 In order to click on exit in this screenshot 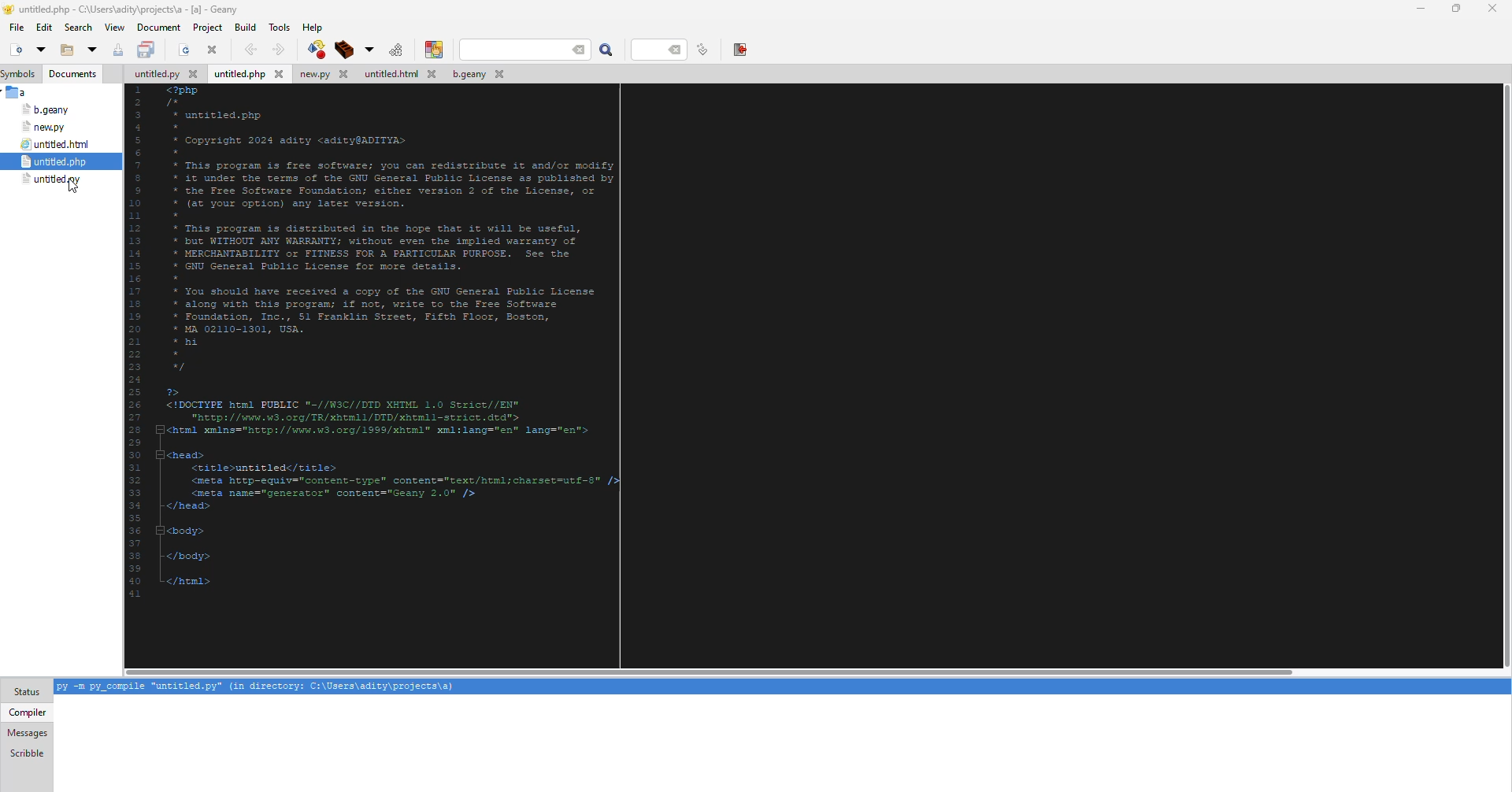, I will do `click(736, 50)`.